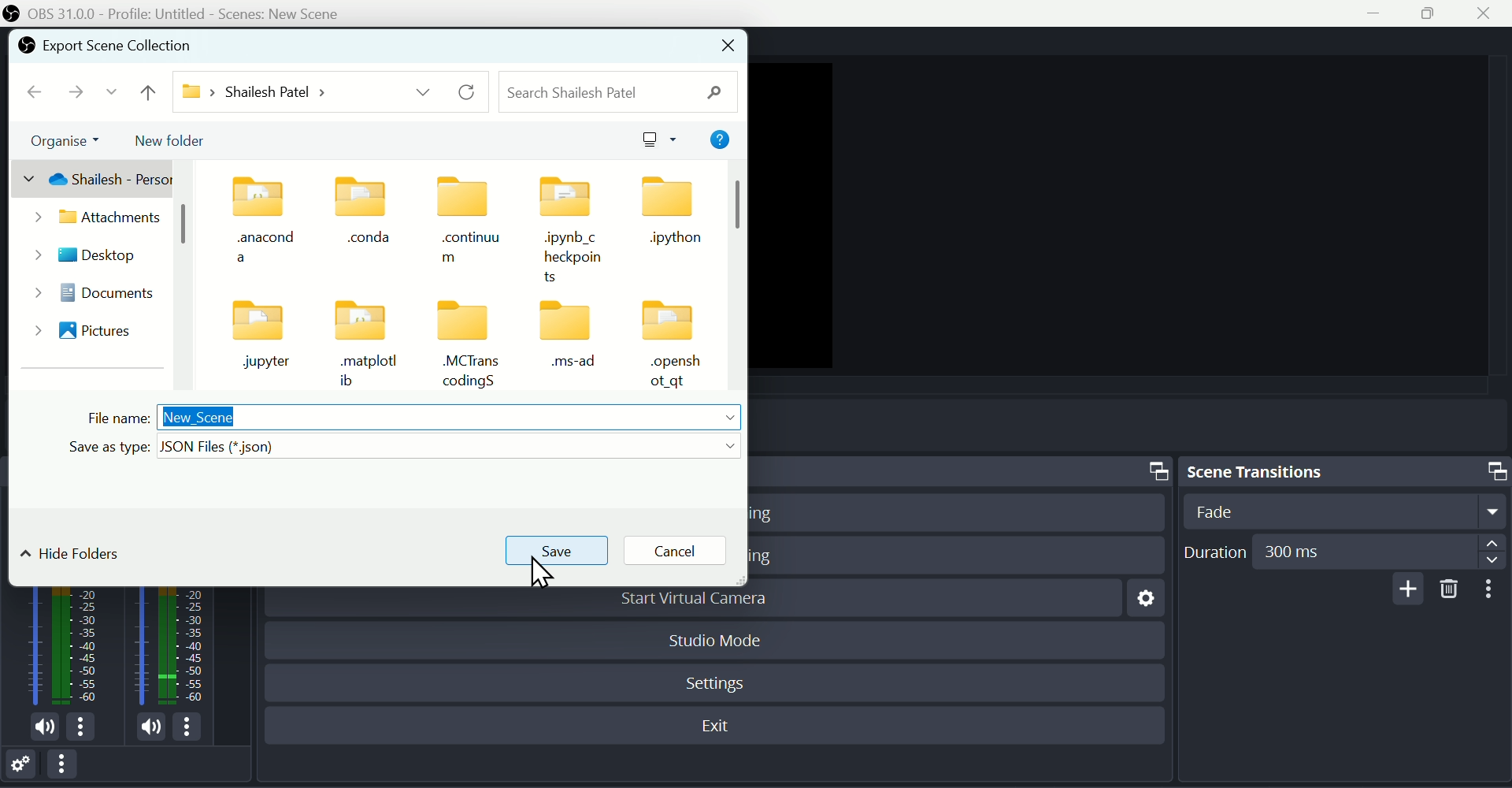  I want to click on OBS 30.0 .0 Profile: untitled, Scenes: New scenes, so click(180, 13).